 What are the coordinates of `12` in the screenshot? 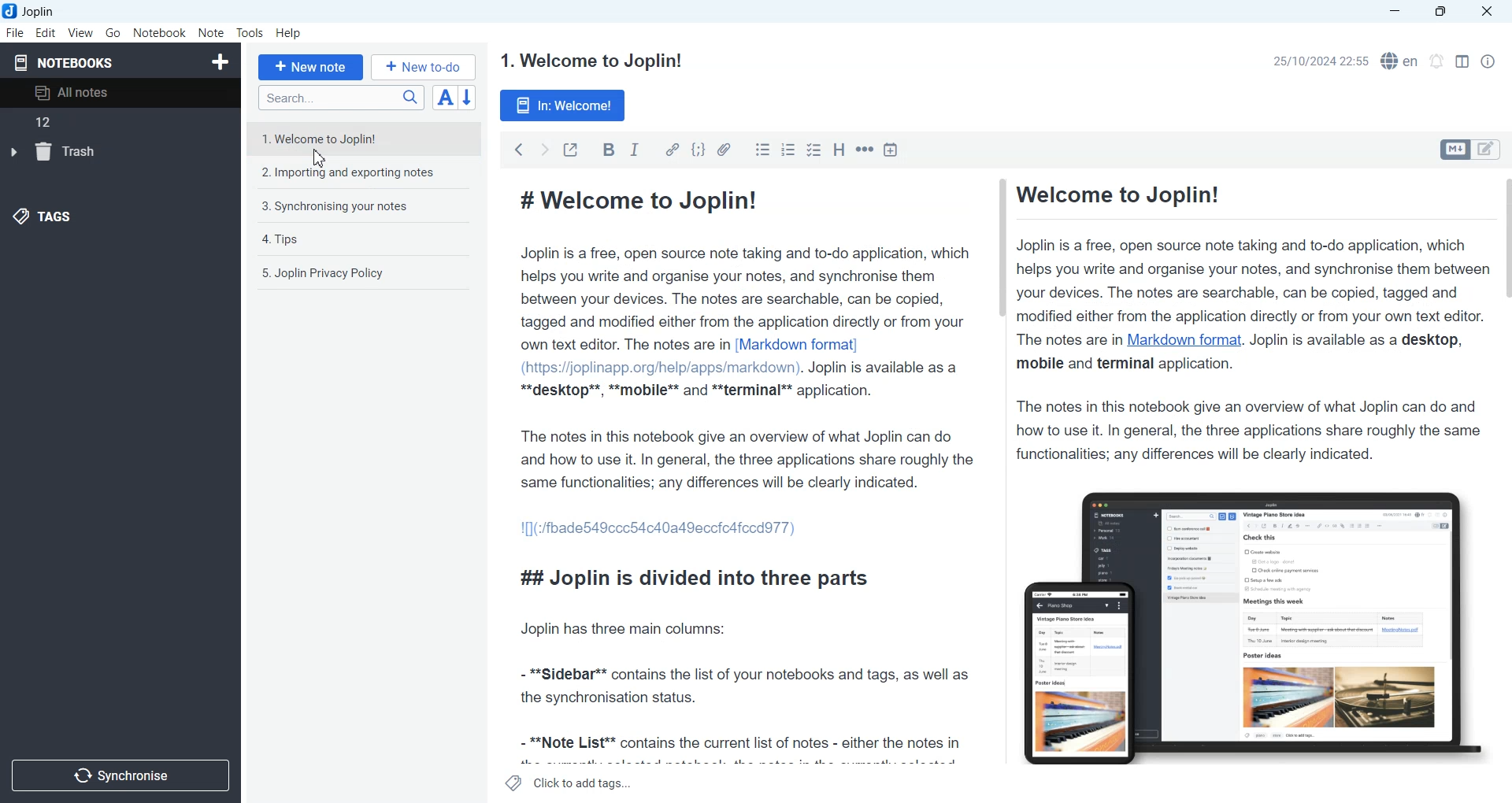 It's located at (50, 124).